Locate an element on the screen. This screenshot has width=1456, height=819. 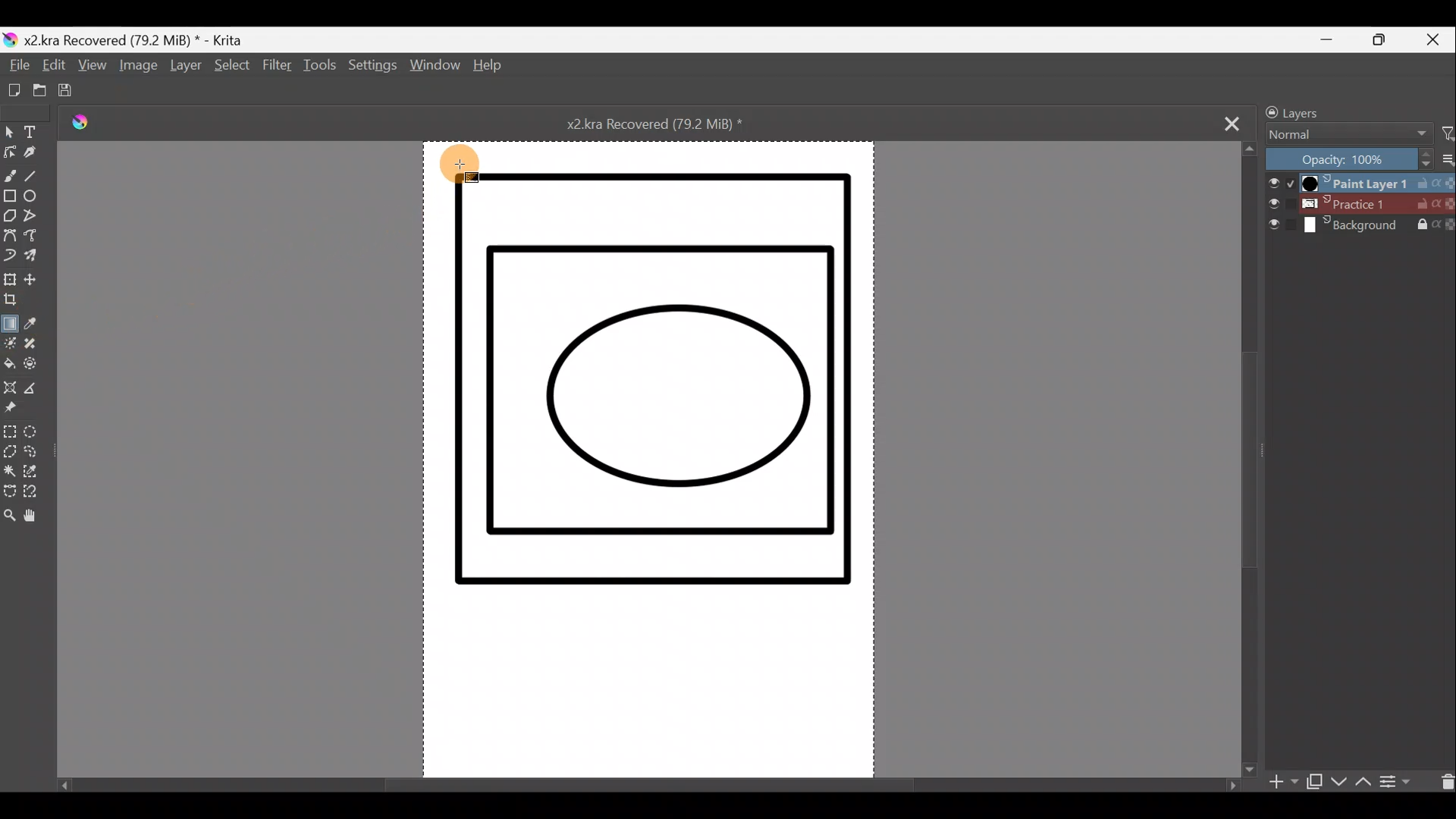
Layers is located at coordinates (1332, 110).